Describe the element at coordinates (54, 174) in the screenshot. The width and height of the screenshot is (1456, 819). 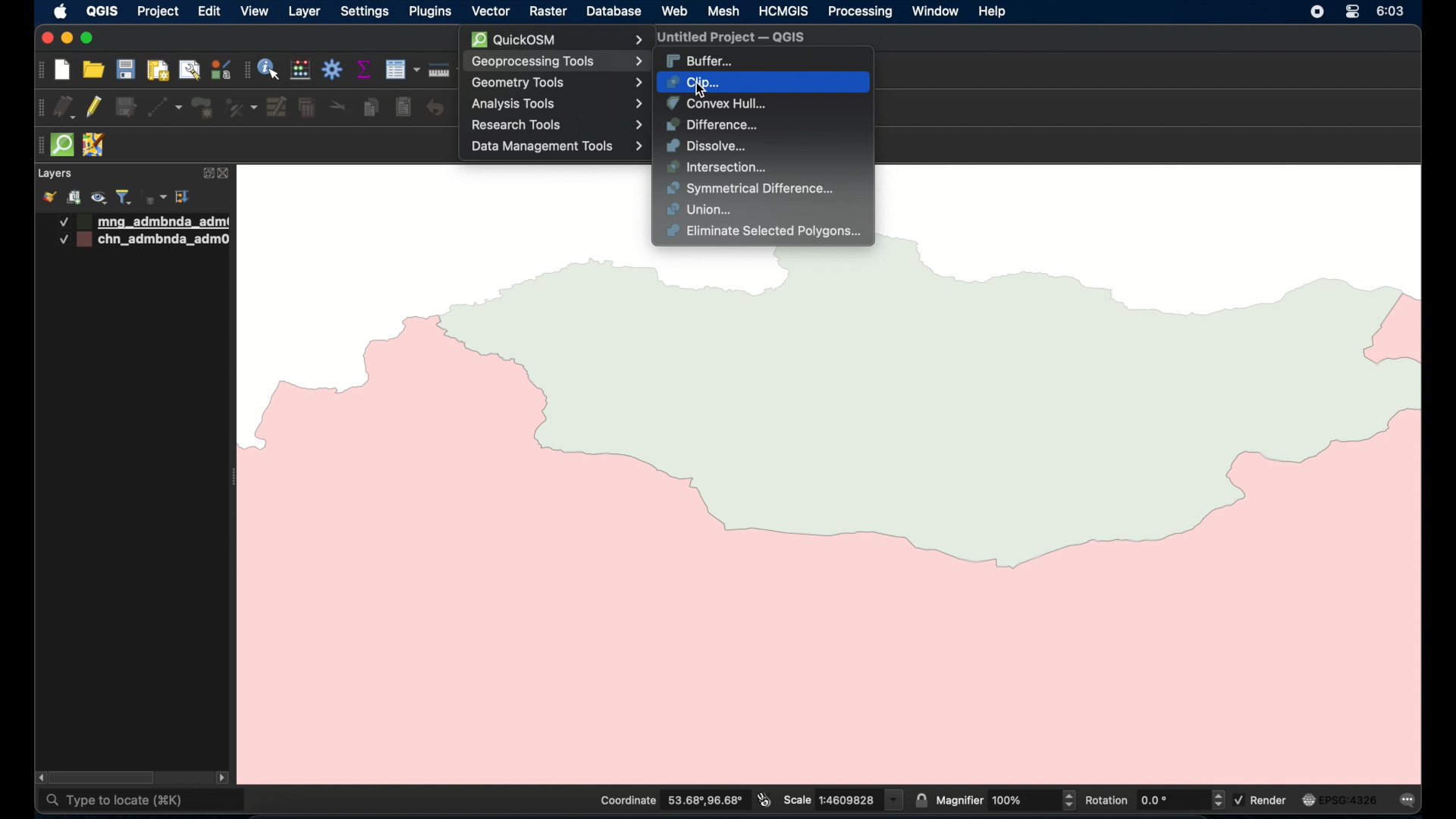
I see `layers ` at that location.